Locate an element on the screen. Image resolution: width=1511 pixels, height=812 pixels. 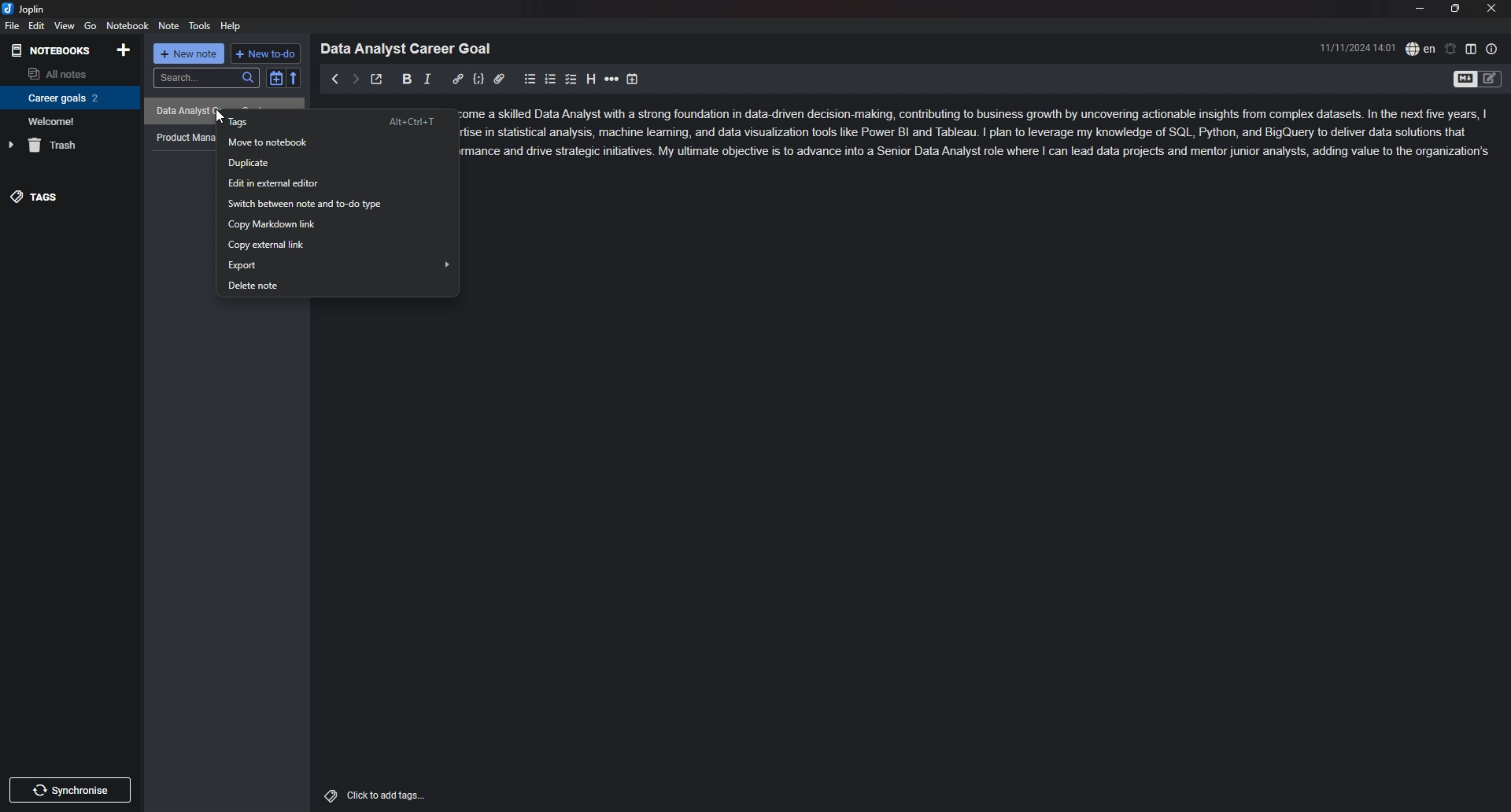
go is located at coordinates (91, 26).